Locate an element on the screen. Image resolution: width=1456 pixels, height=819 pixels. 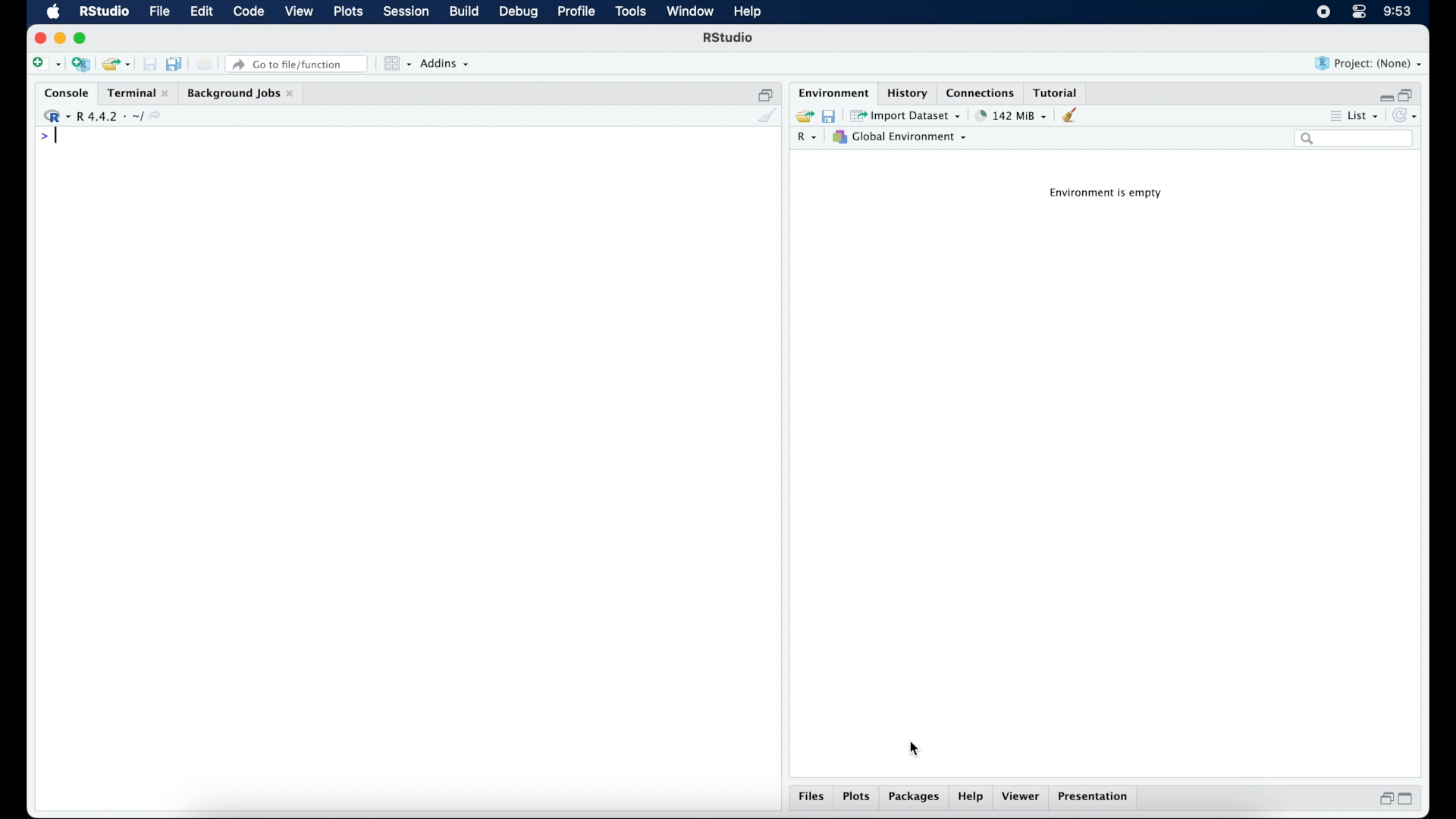
minimzie is located at coordinates (59, 38).